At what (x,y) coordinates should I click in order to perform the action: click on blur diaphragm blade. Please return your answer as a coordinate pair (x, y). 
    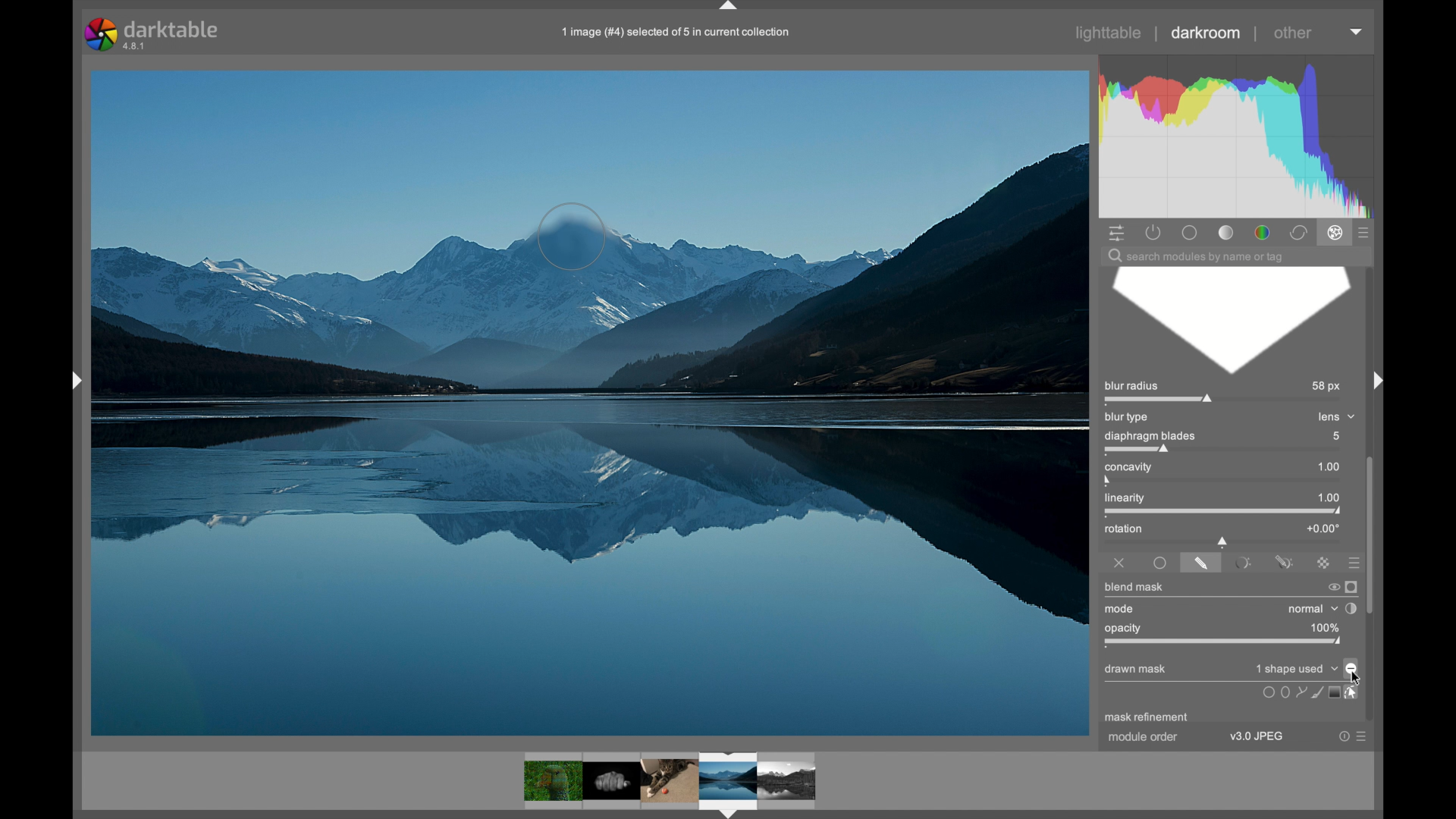
    Looking at the image, I should click on (1228, 322).